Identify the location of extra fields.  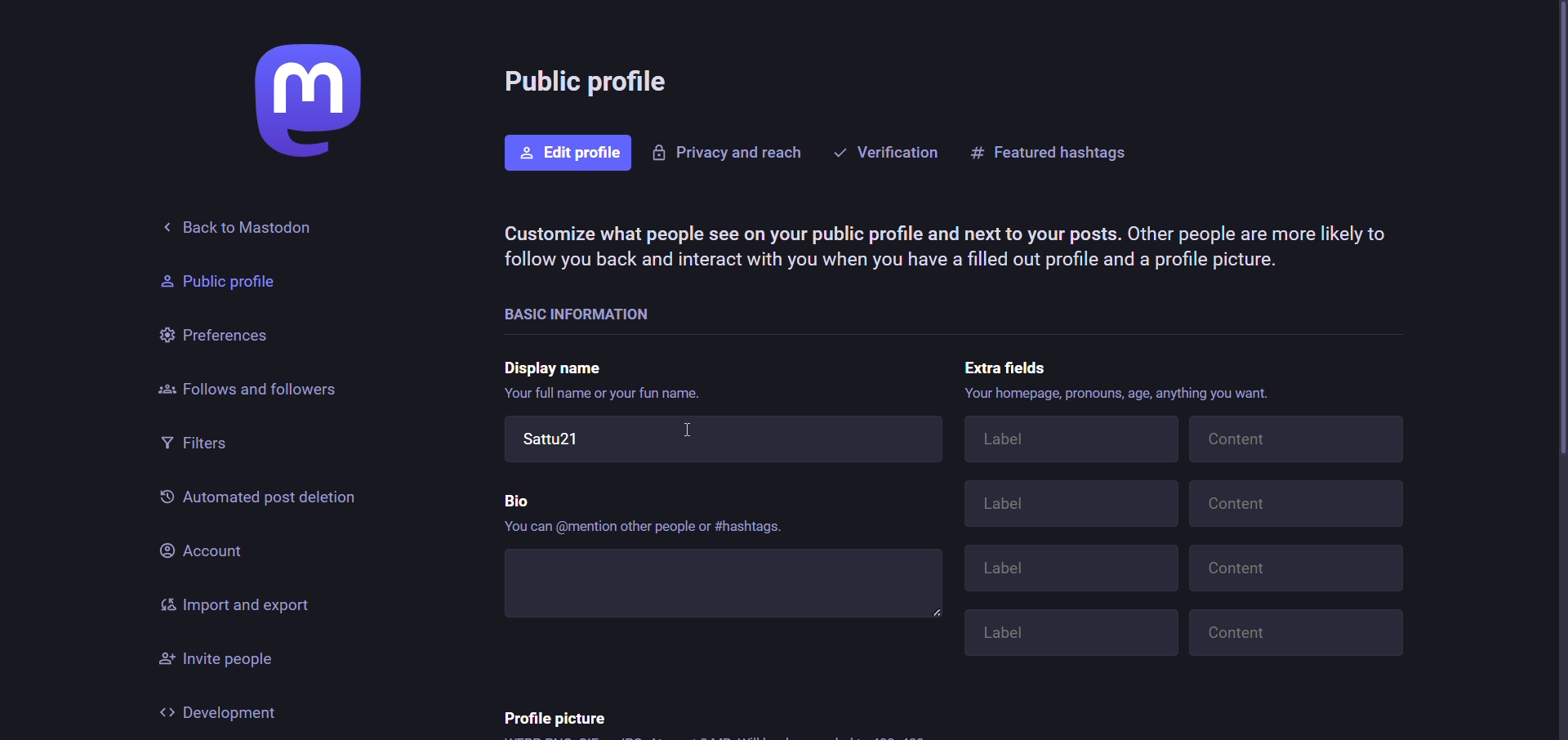
(1000, 366).